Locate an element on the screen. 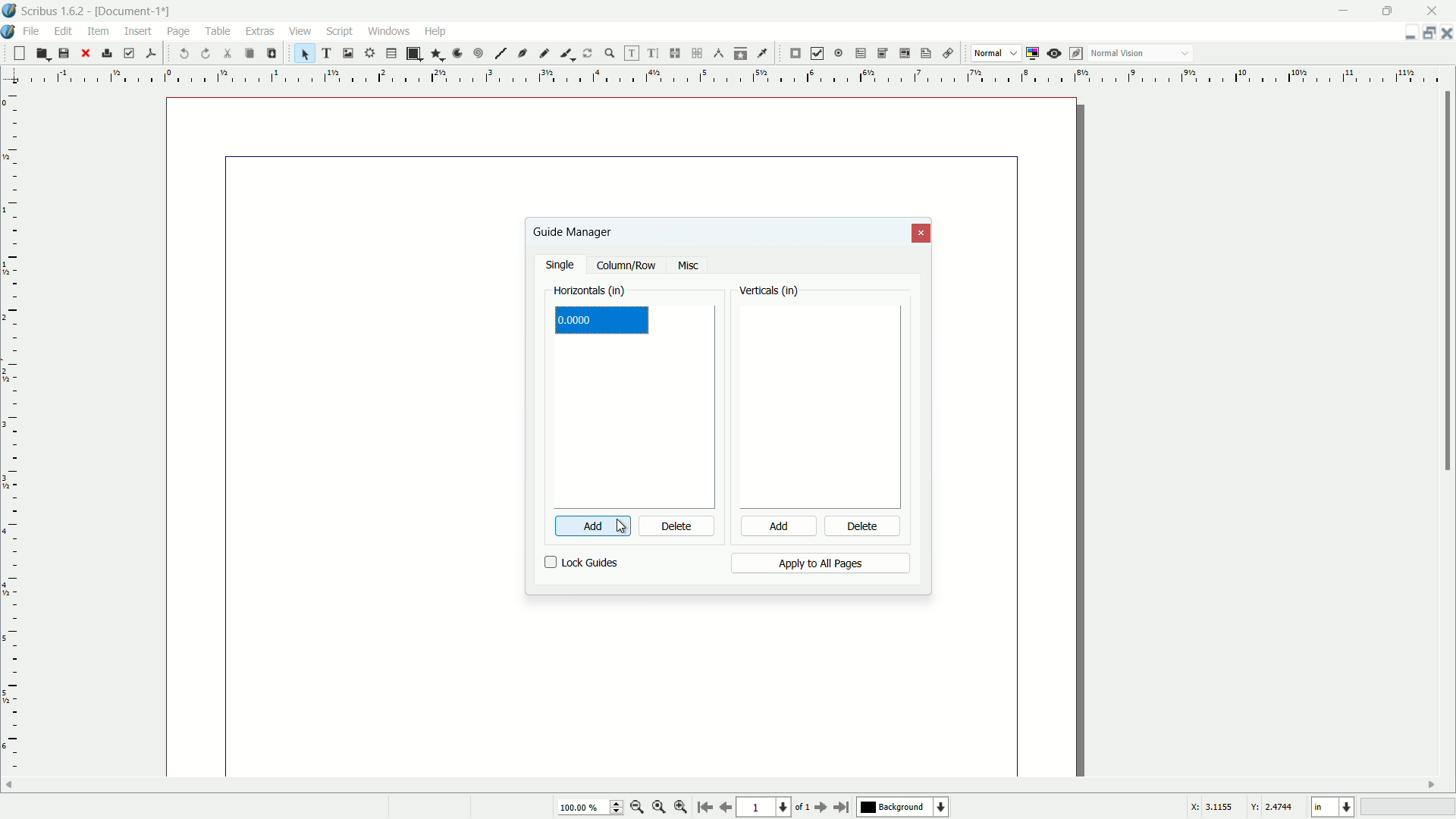 This screenshot has height=819, width=1456. delete is located at coordinates (677, 527).